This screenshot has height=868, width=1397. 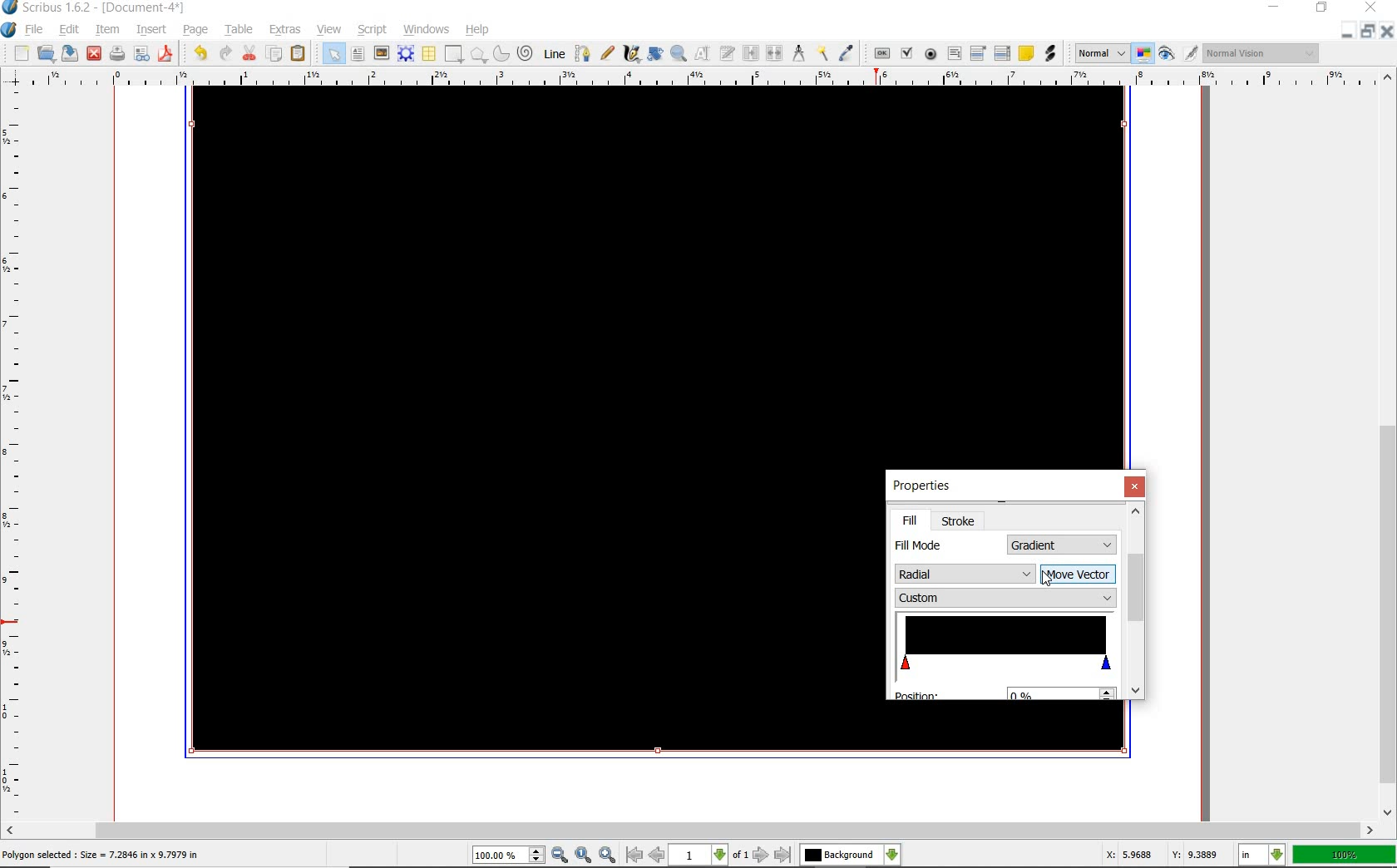 I want to click on save as pdf, so click(x=166, y=53).